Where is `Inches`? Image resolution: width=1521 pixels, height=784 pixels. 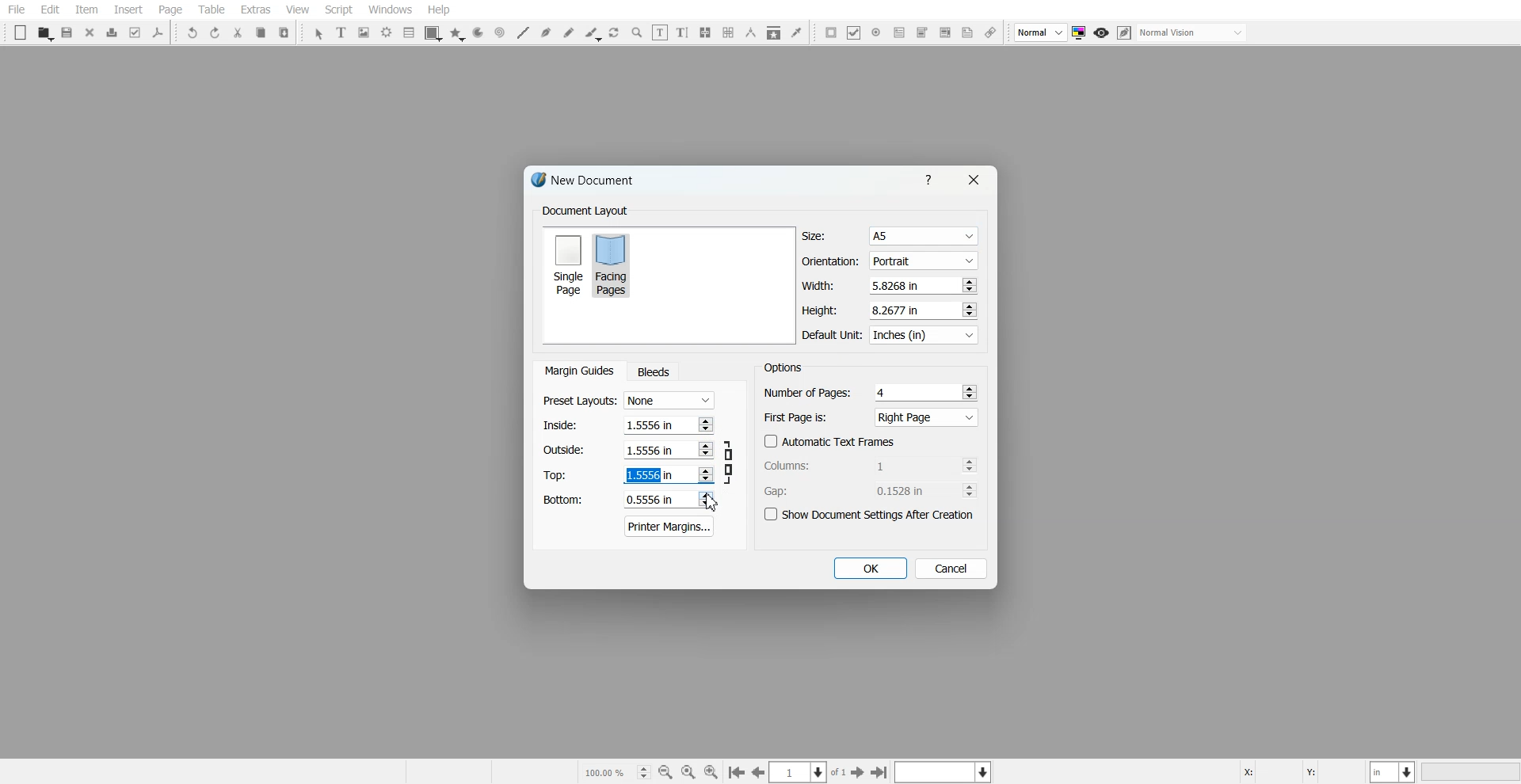 Inches is located at coordinates (924, 336).